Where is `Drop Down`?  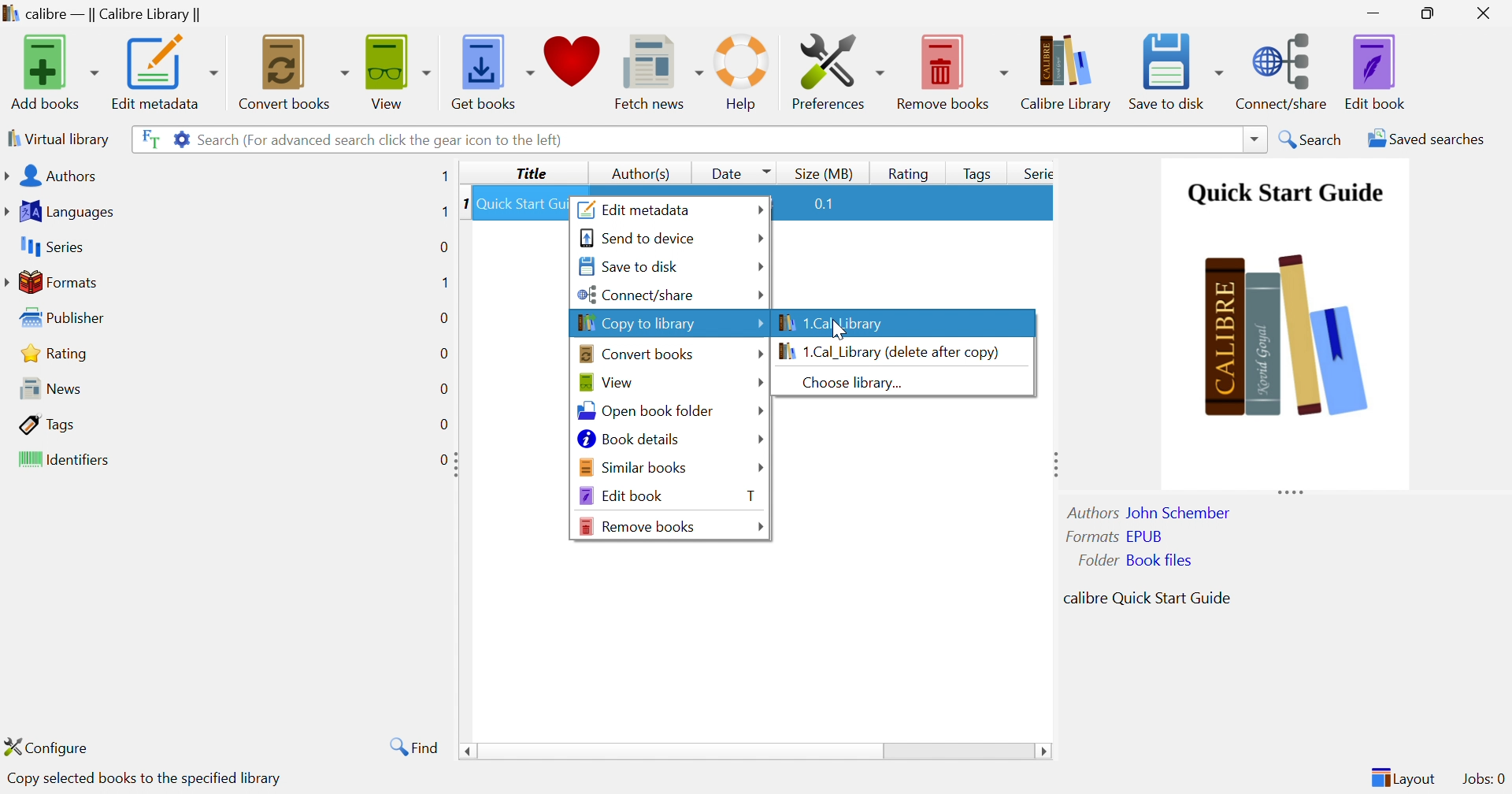
Drop Down is located at coordinates (759, 437).